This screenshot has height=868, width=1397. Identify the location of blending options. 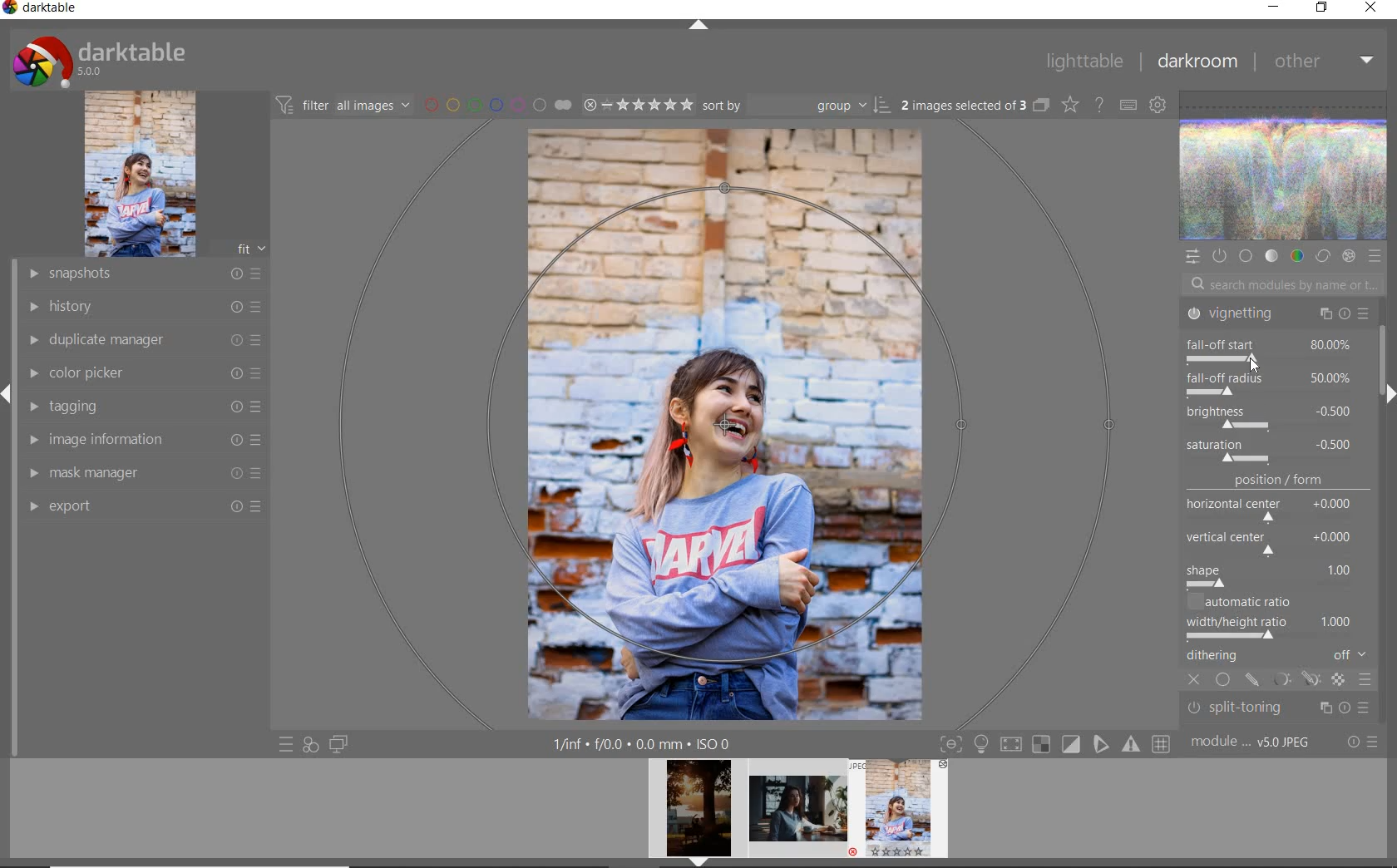
(1365, 682).